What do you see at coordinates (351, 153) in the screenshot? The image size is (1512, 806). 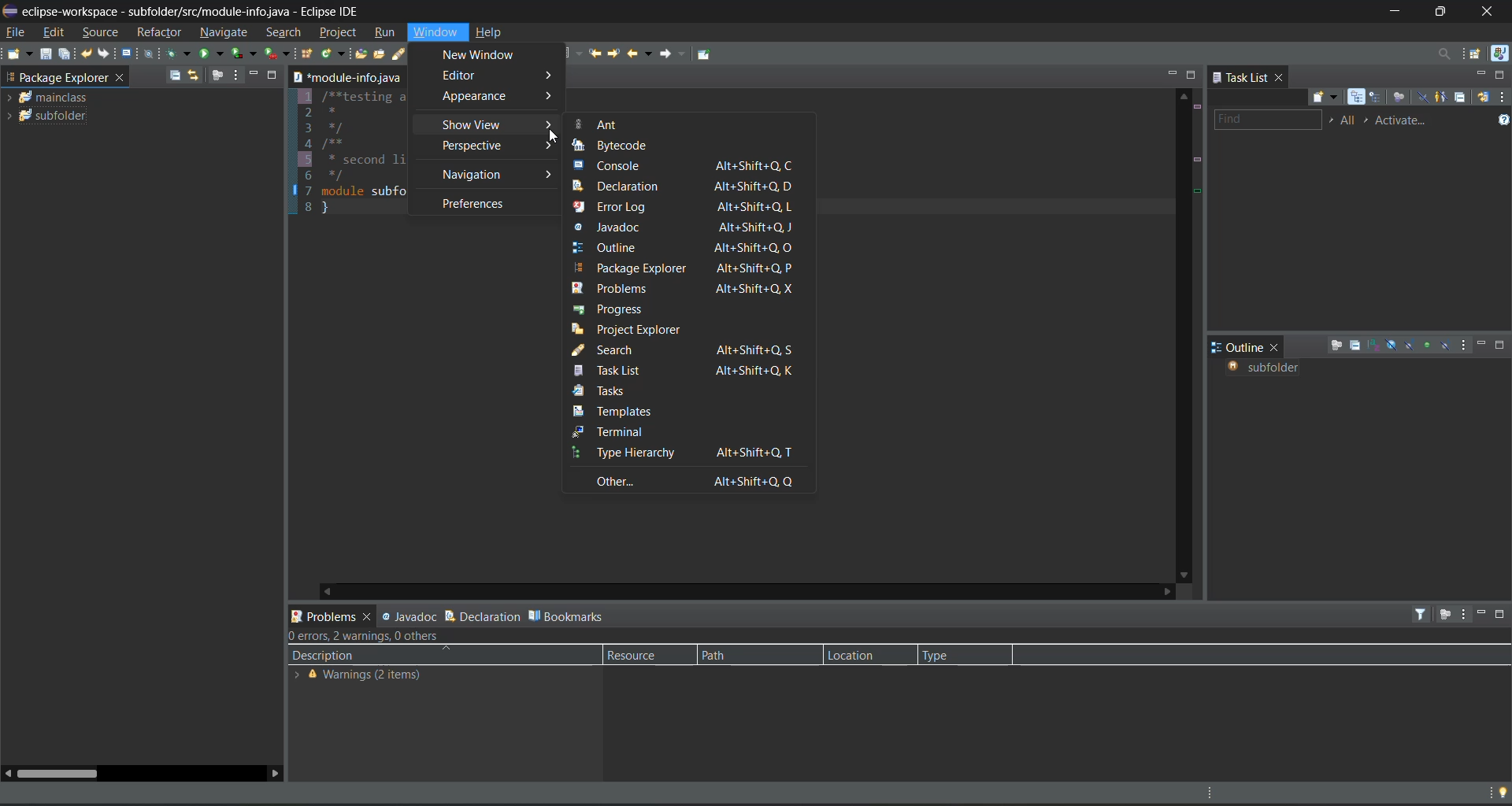 I see `1/**testing a 2* 3*/ 4/**5 * second 1i6 */7 module subfo8}` at bounding box center [351, 153].